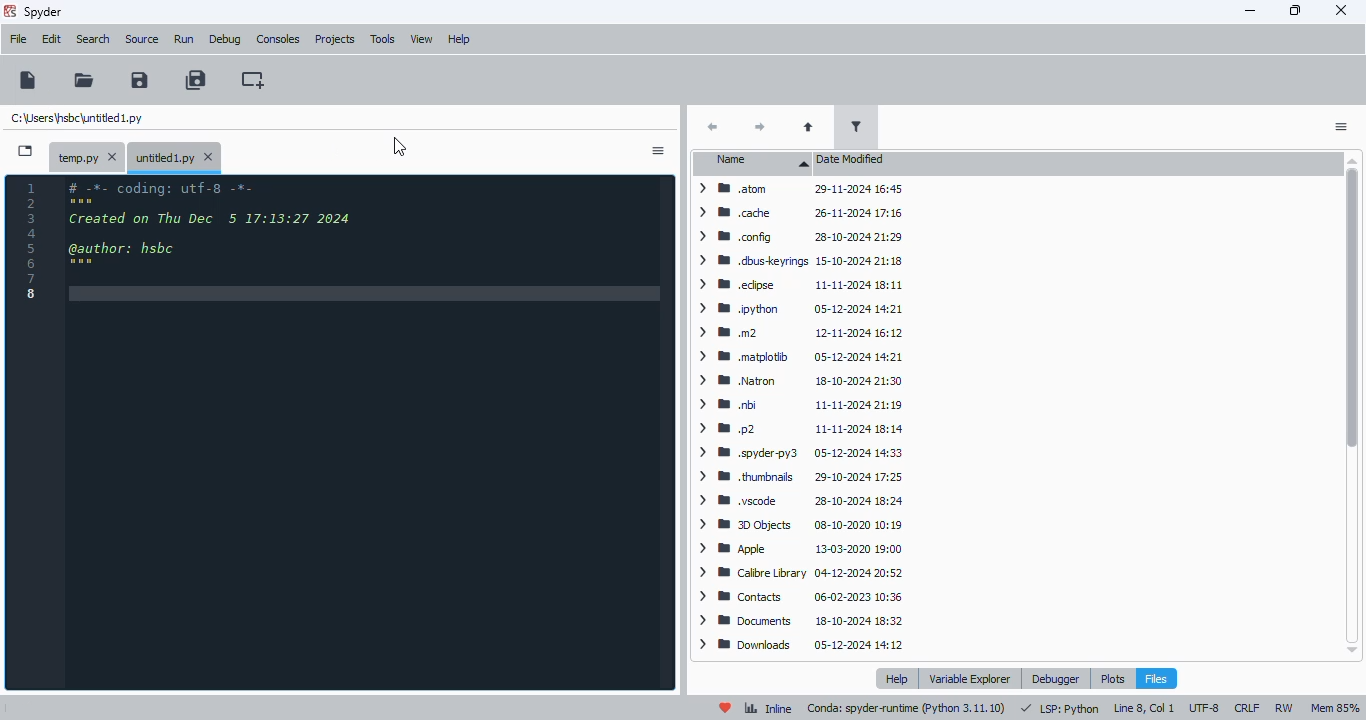  I want to click on help spyder!, so click(726, 707).